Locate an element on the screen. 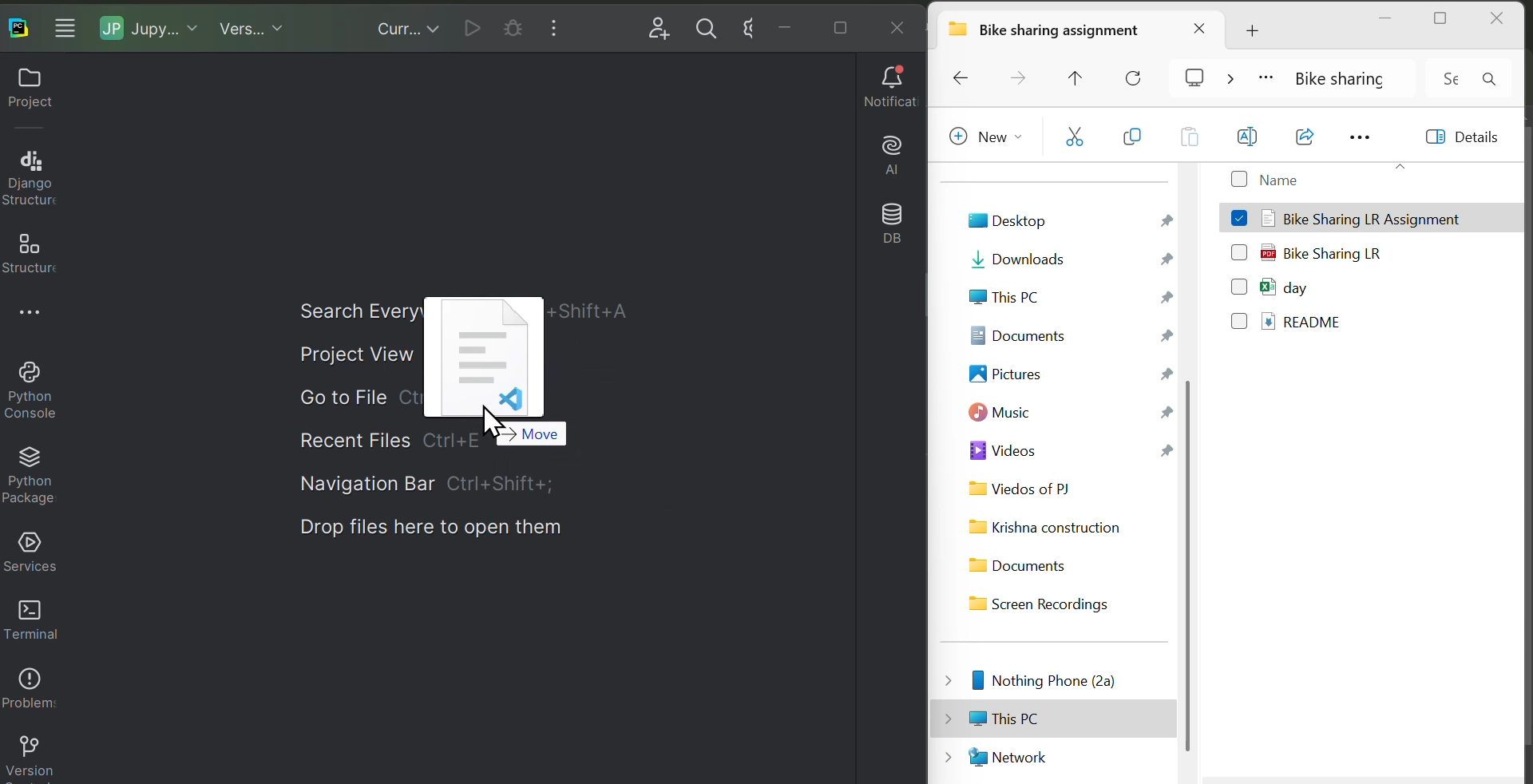  Desktop is located at coordinates (1067, 220).